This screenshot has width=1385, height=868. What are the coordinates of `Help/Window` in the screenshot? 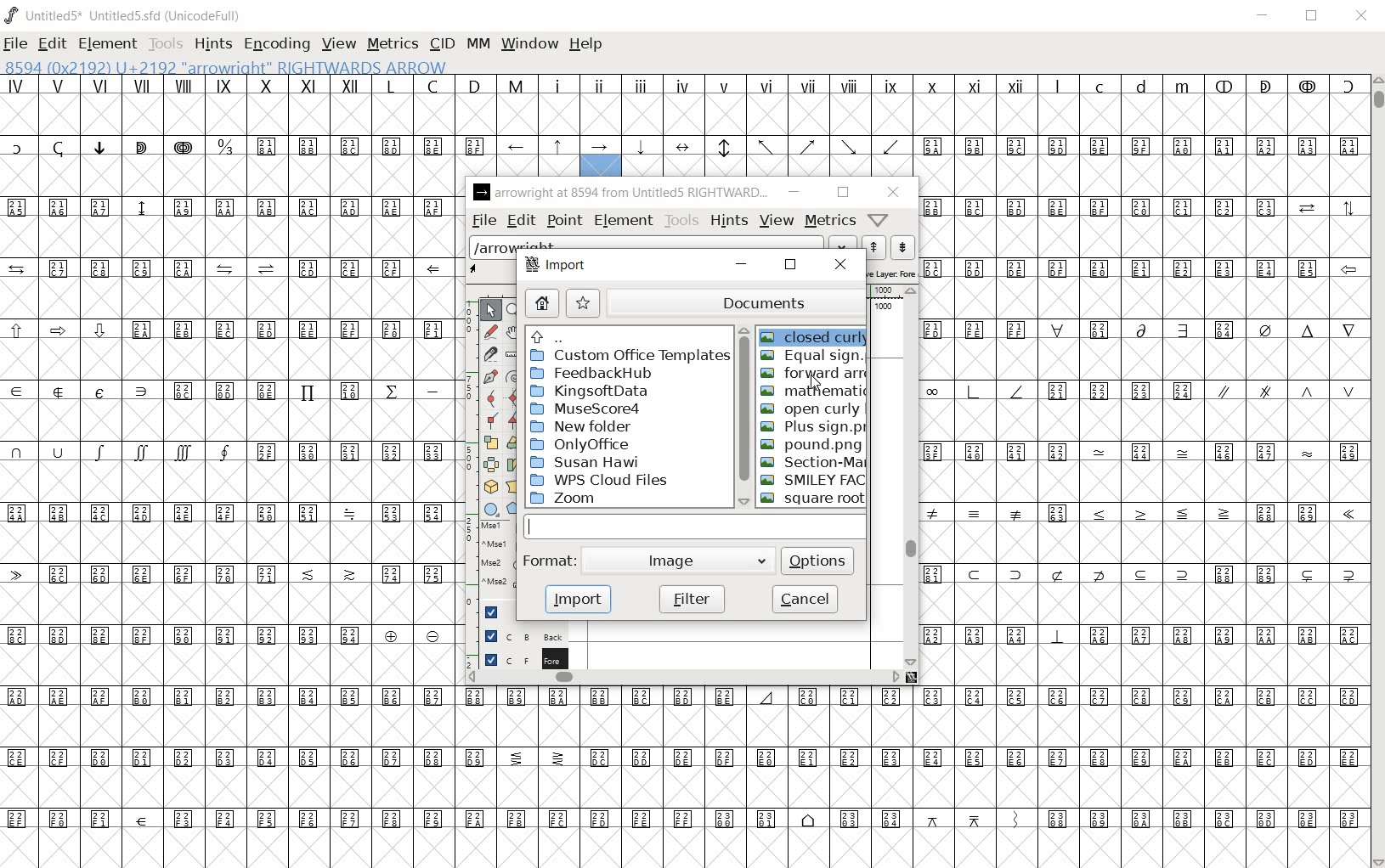 It's located at (879, 220).